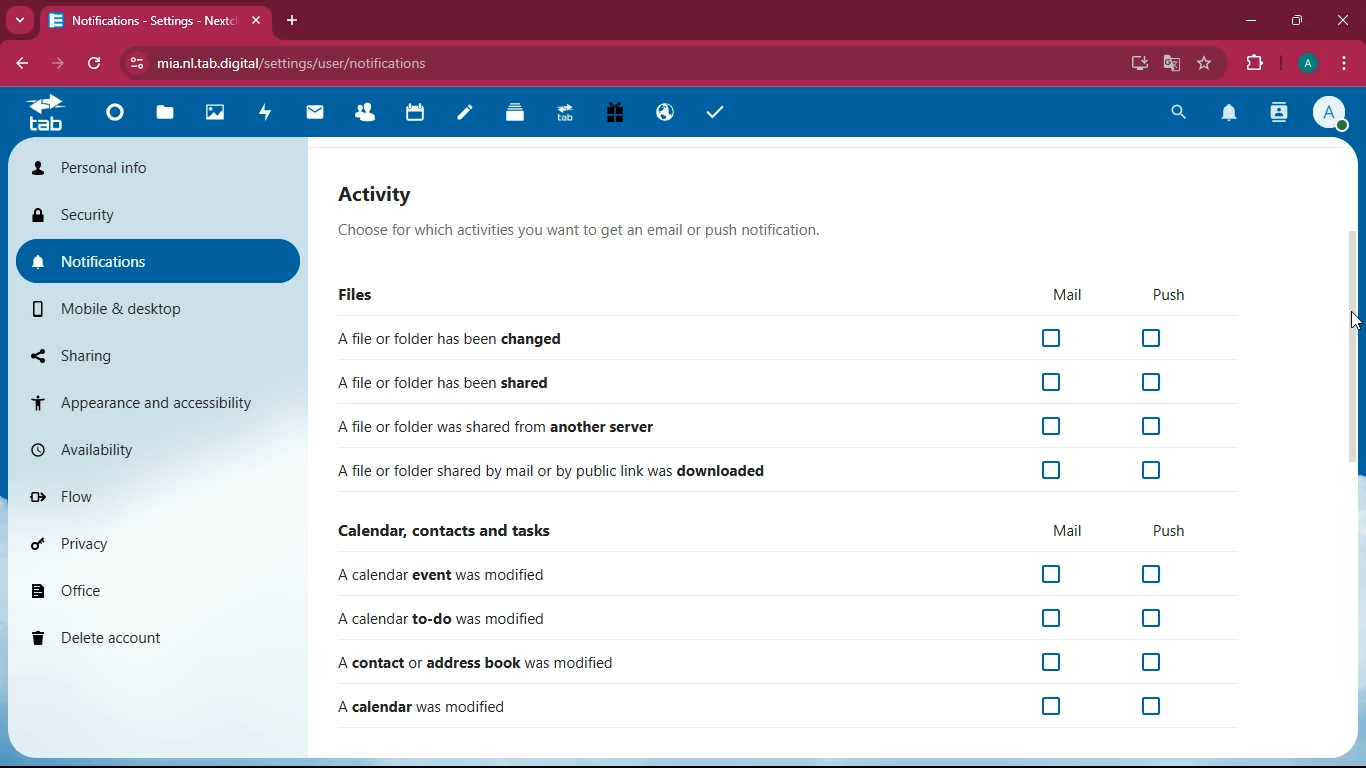  Describe the element at coordinates (295, 22) in the screenshot. I see `add tab` at that location.